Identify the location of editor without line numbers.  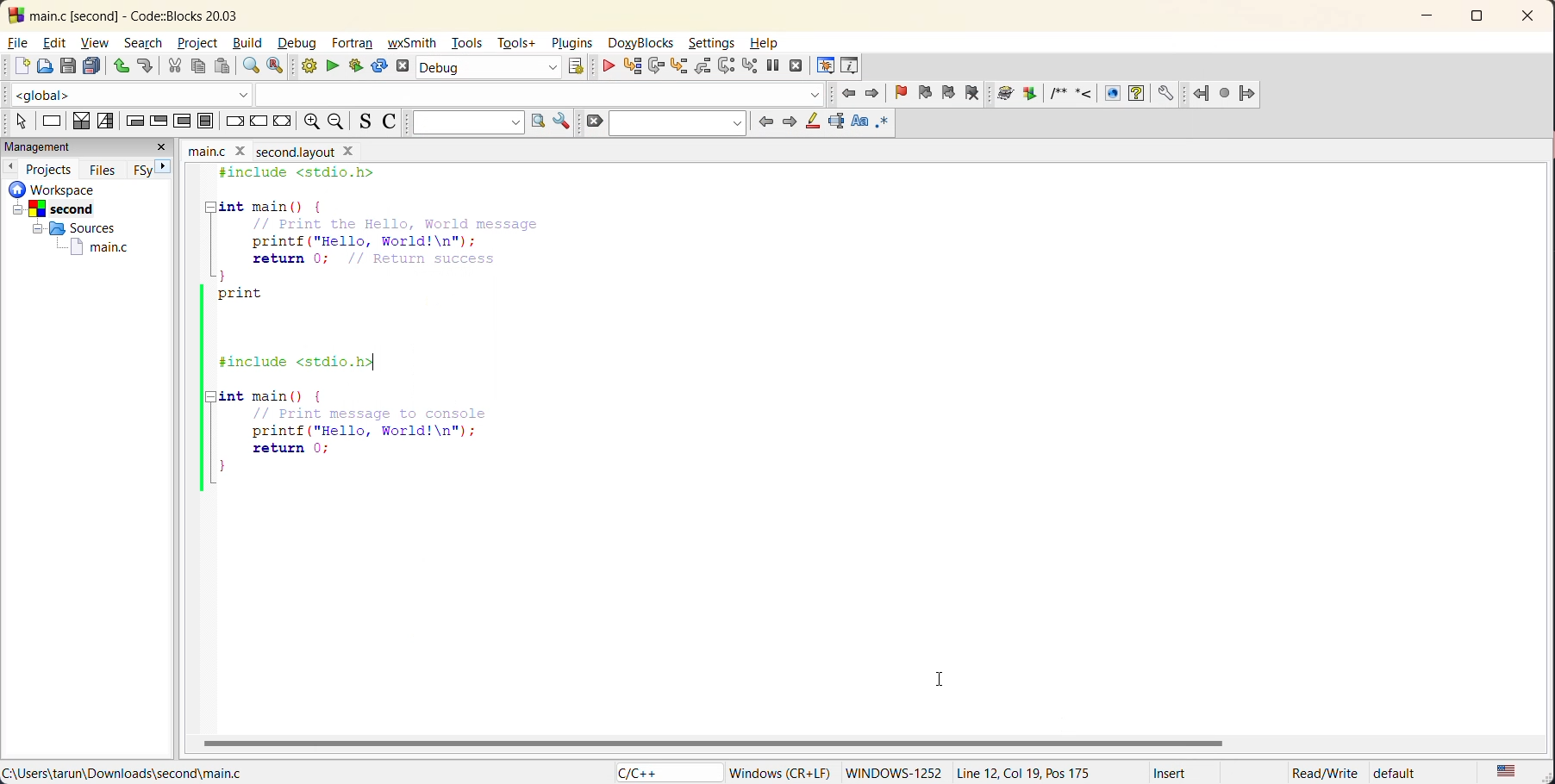
(390, 339).